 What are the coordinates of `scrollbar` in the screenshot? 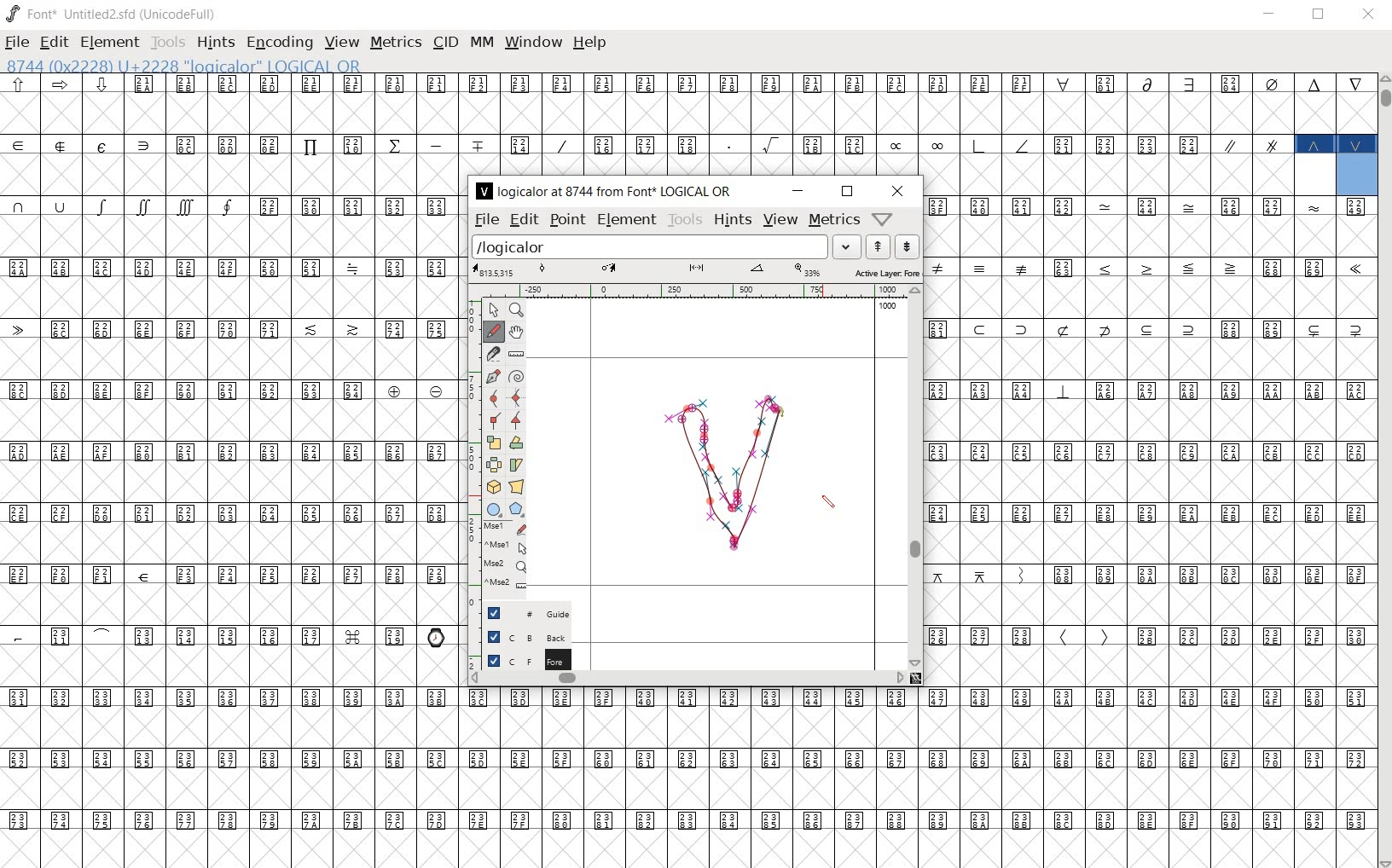 It's located at (691, 678).